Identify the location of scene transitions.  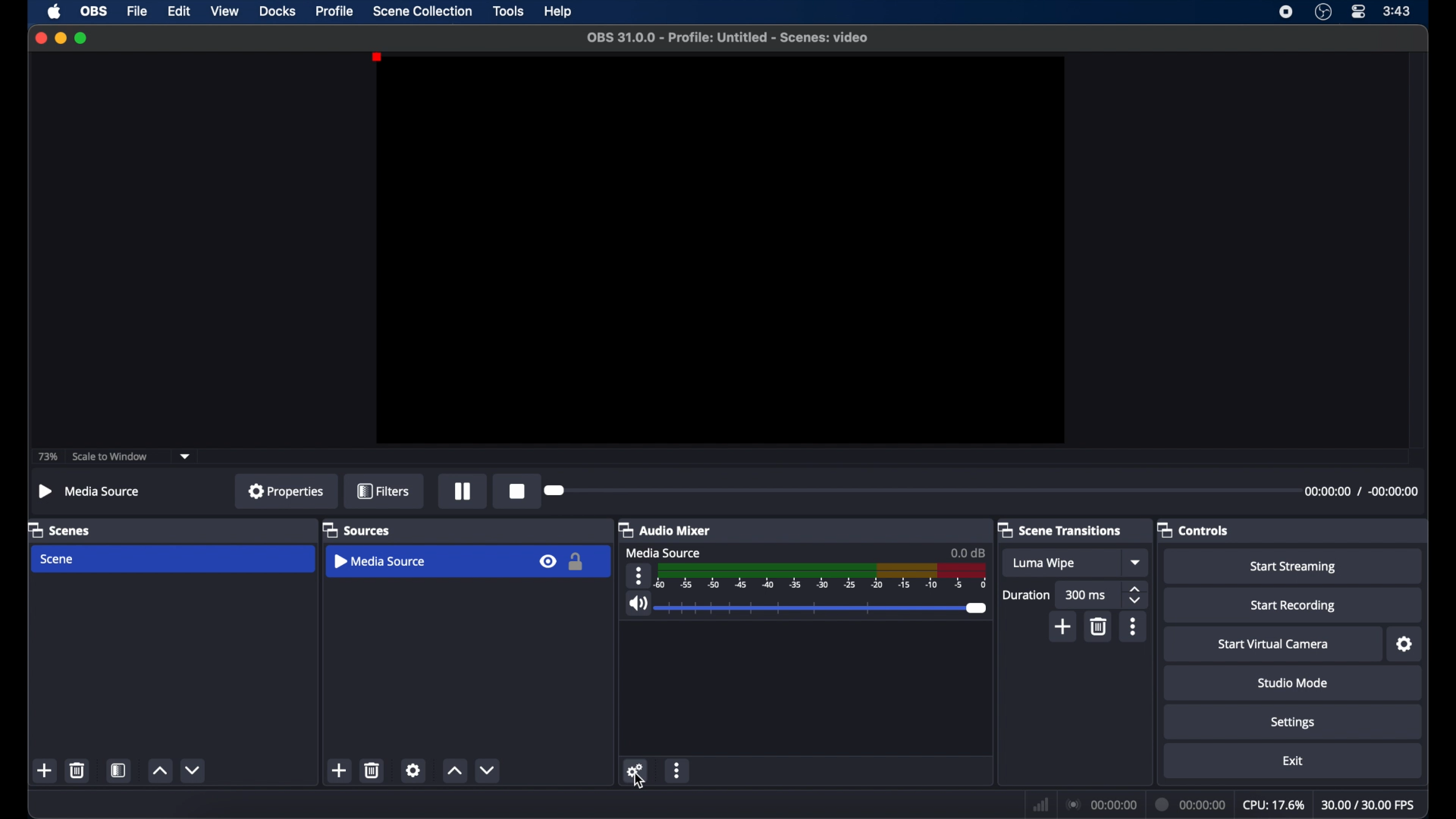
(1059, 529).